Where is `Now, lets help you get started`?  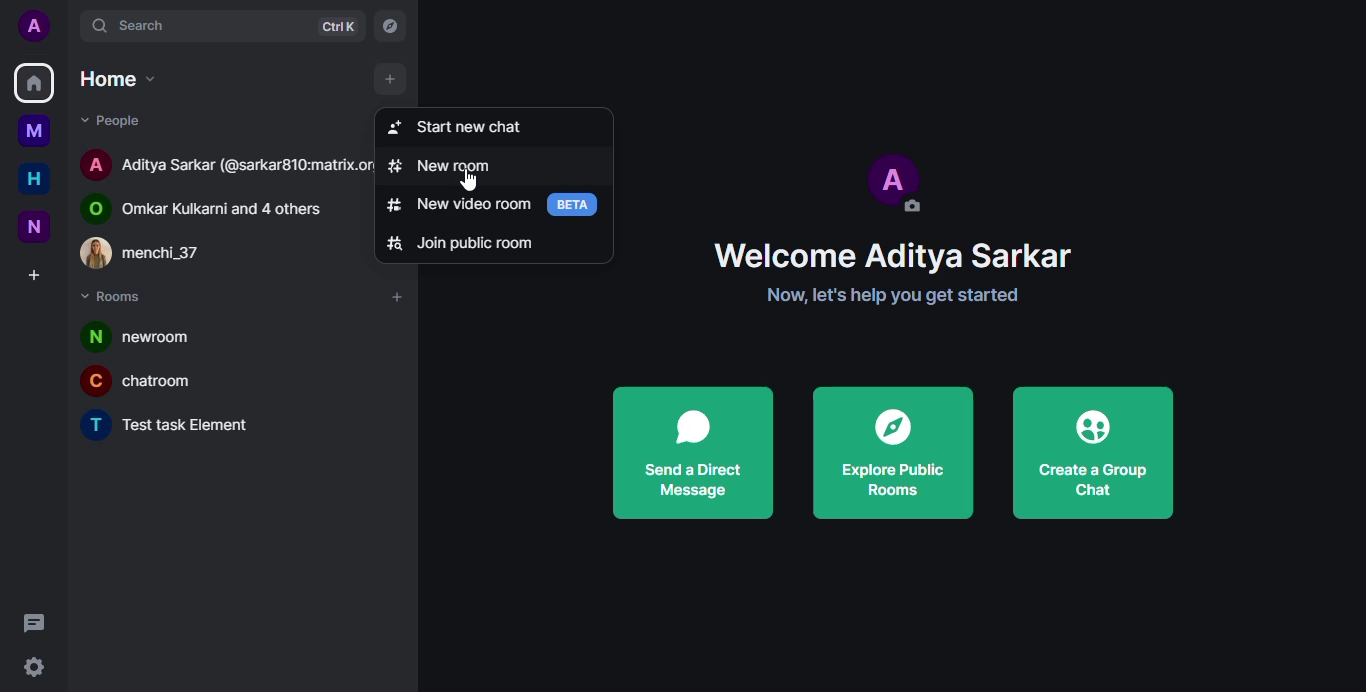 Now, lets help you get started is located at coordinates (898, 295).